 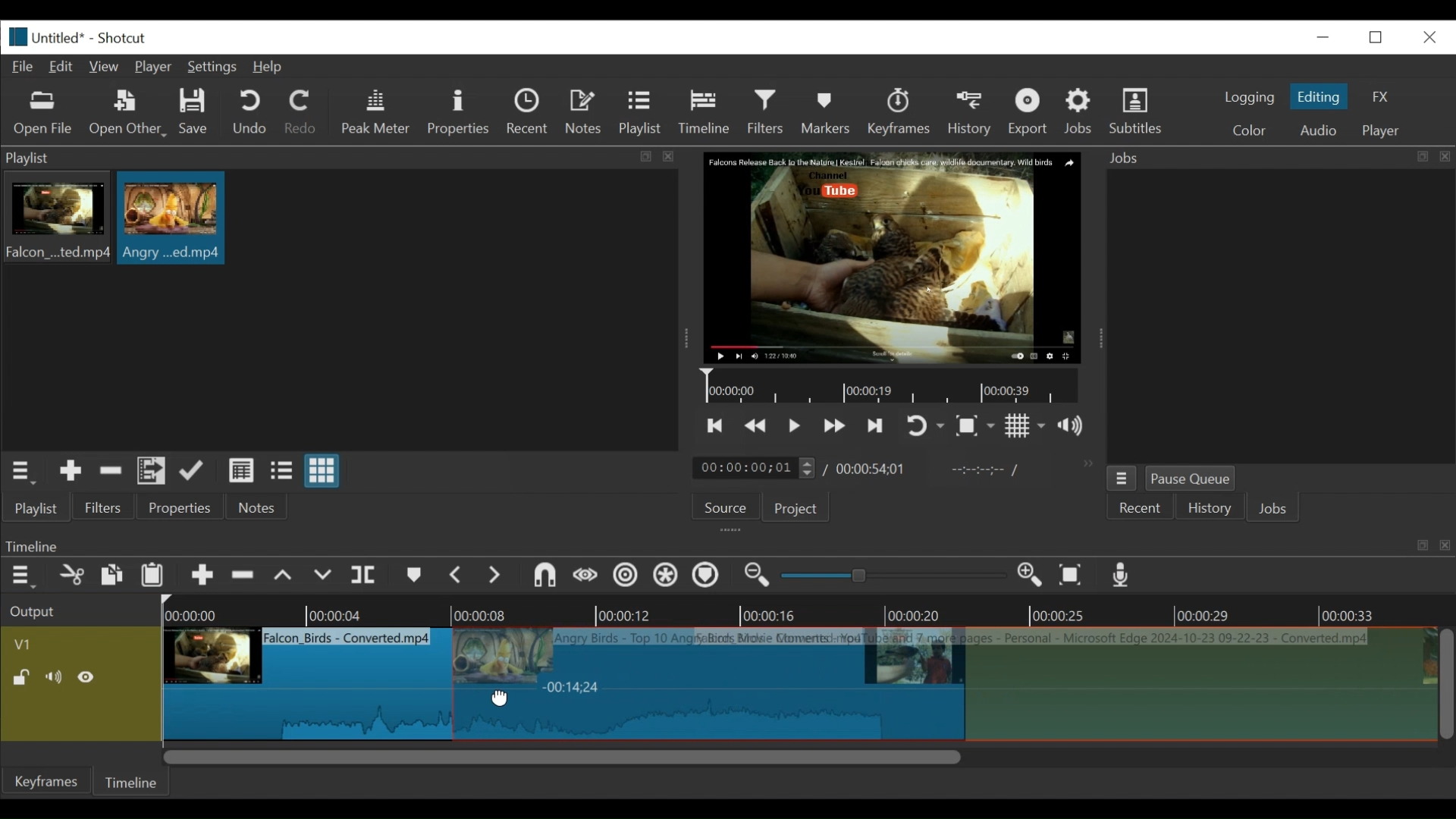 I want to click on Cursor, so click(x=501, y=697).